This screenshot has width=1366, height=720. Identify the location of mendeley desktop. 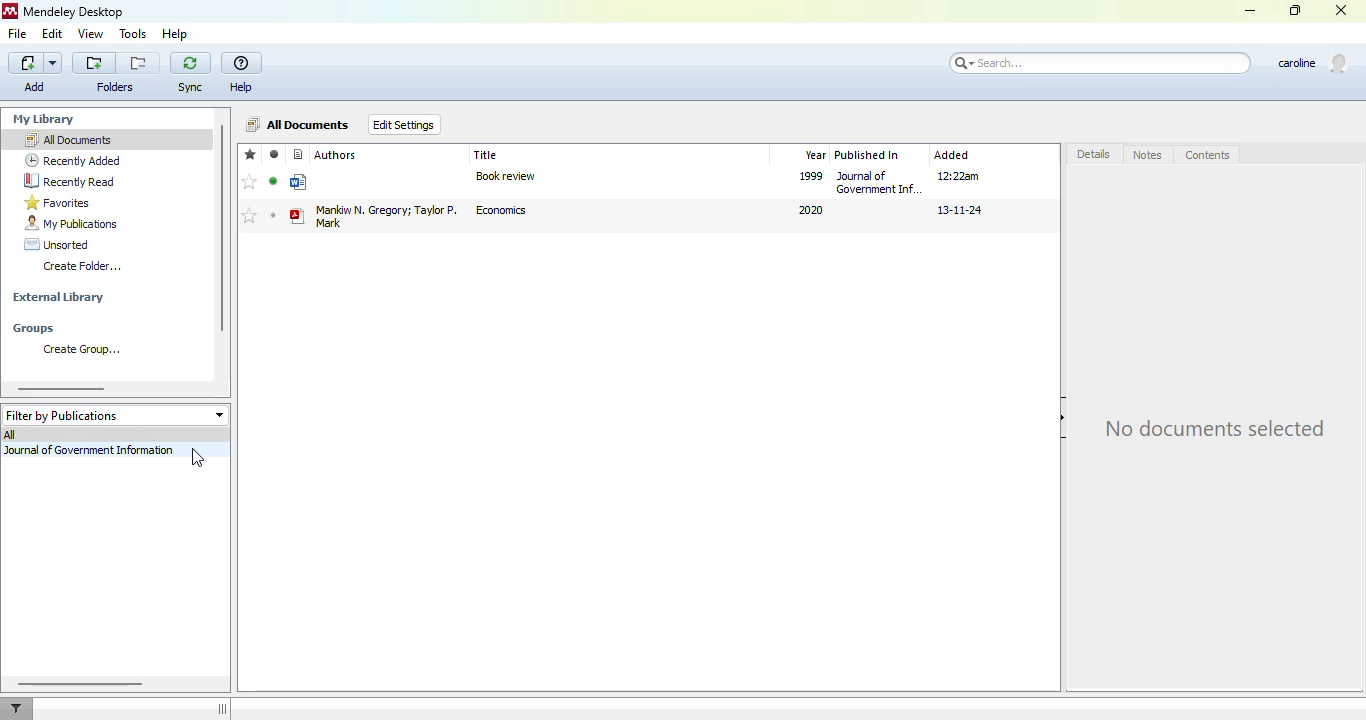
(75, 11).